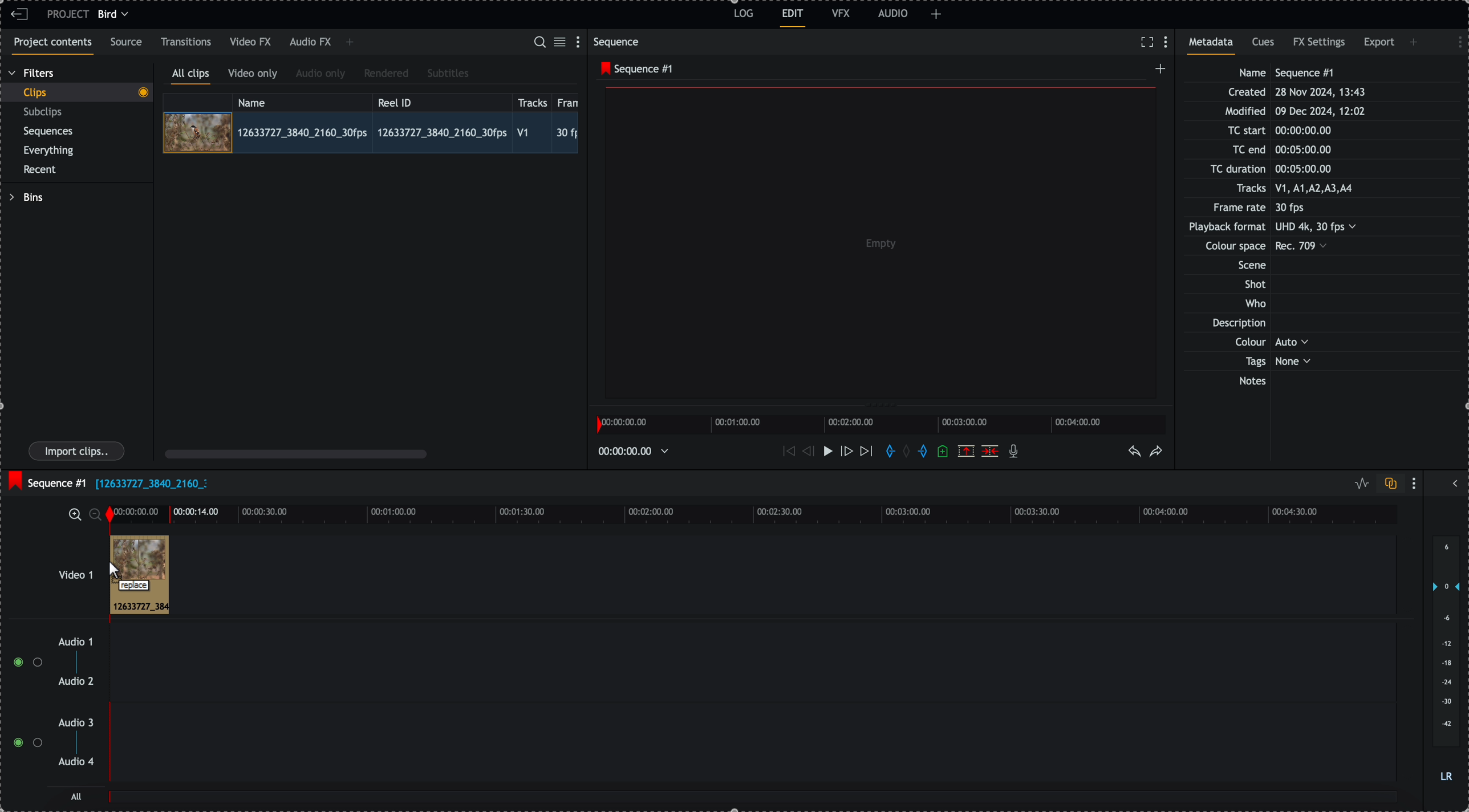  What do you see at coordinates (581, 41) in the screenshot?
I see `show settings menu` at bounding box center [581, 41].